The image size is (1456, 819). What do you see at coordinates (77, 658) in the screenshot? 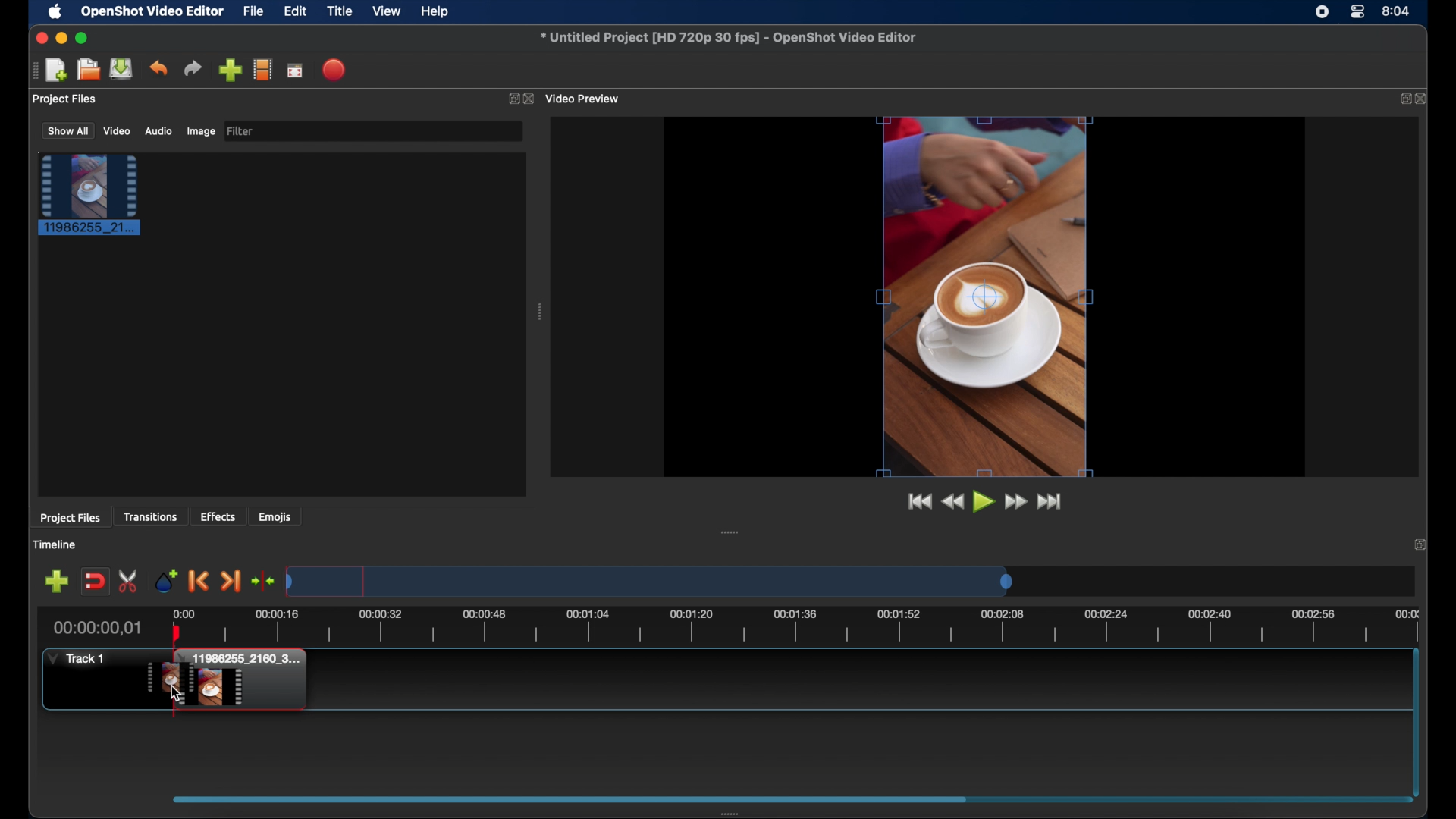
I see `track1` at bounding box center [77, 658].